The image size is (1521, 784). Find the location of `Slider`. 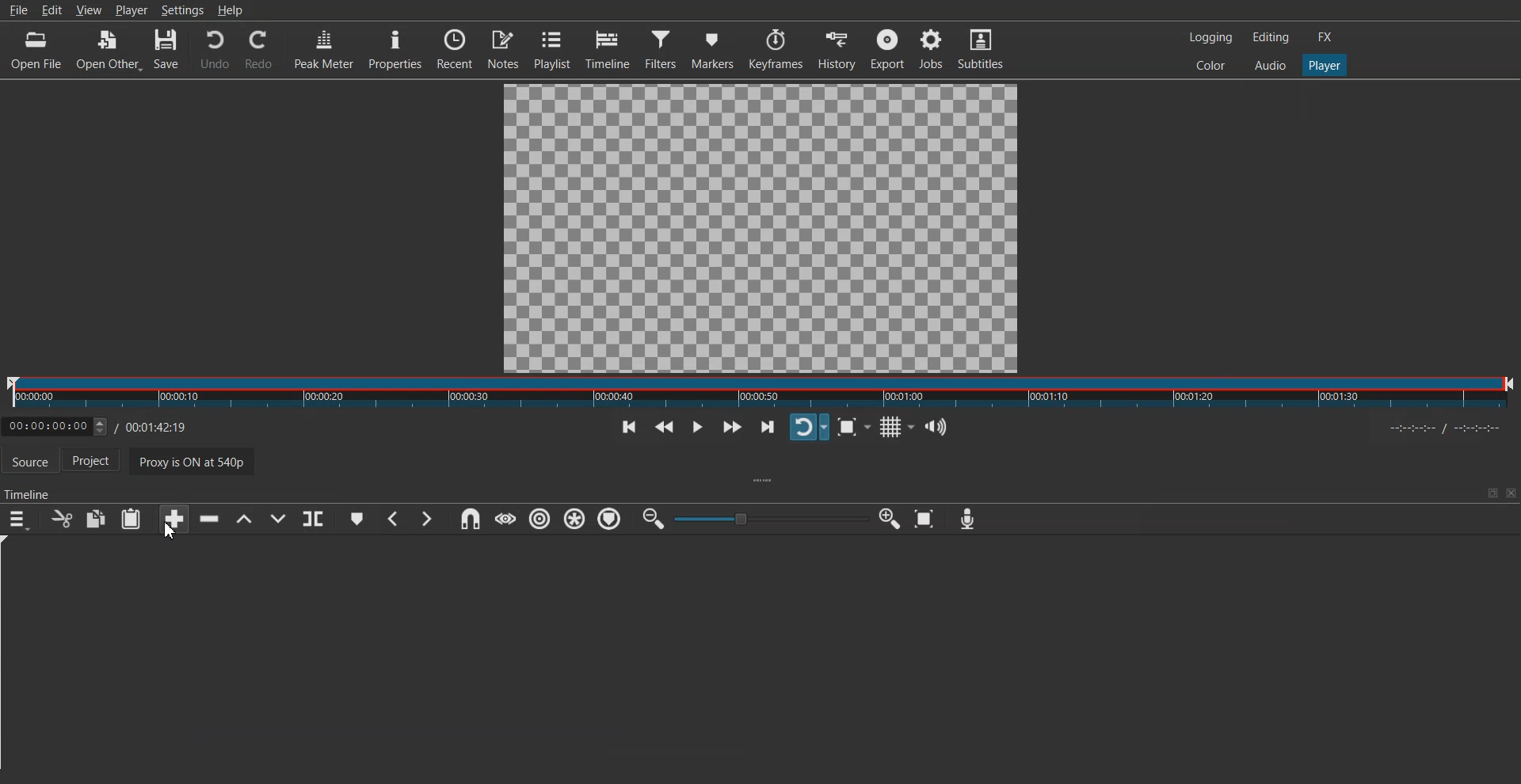

Slider is located at coordinates (760, 393).